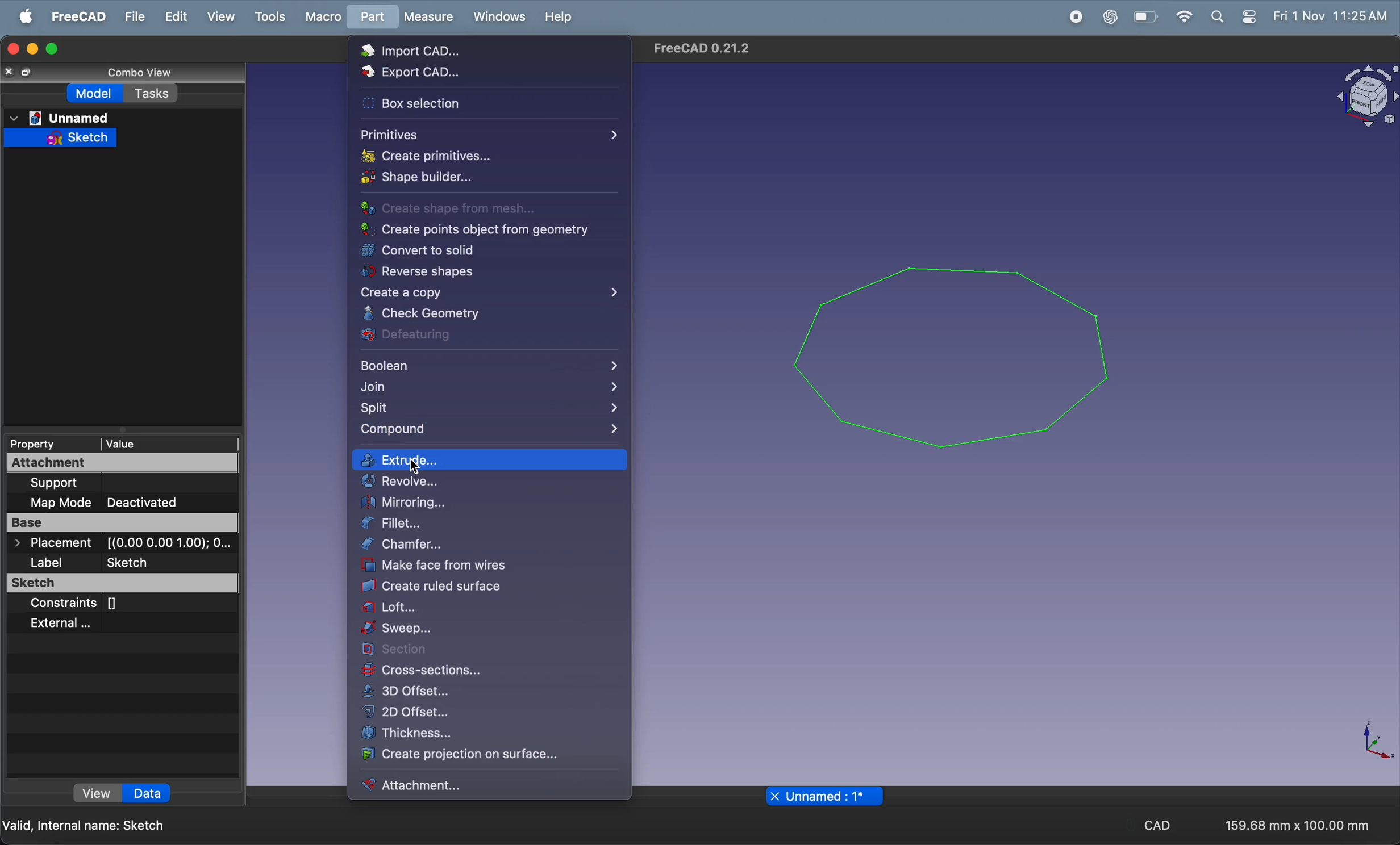  What do you see at coordinates (58, 140) in the screenshot?
I see `sketch` at bounding box center [58, 140].